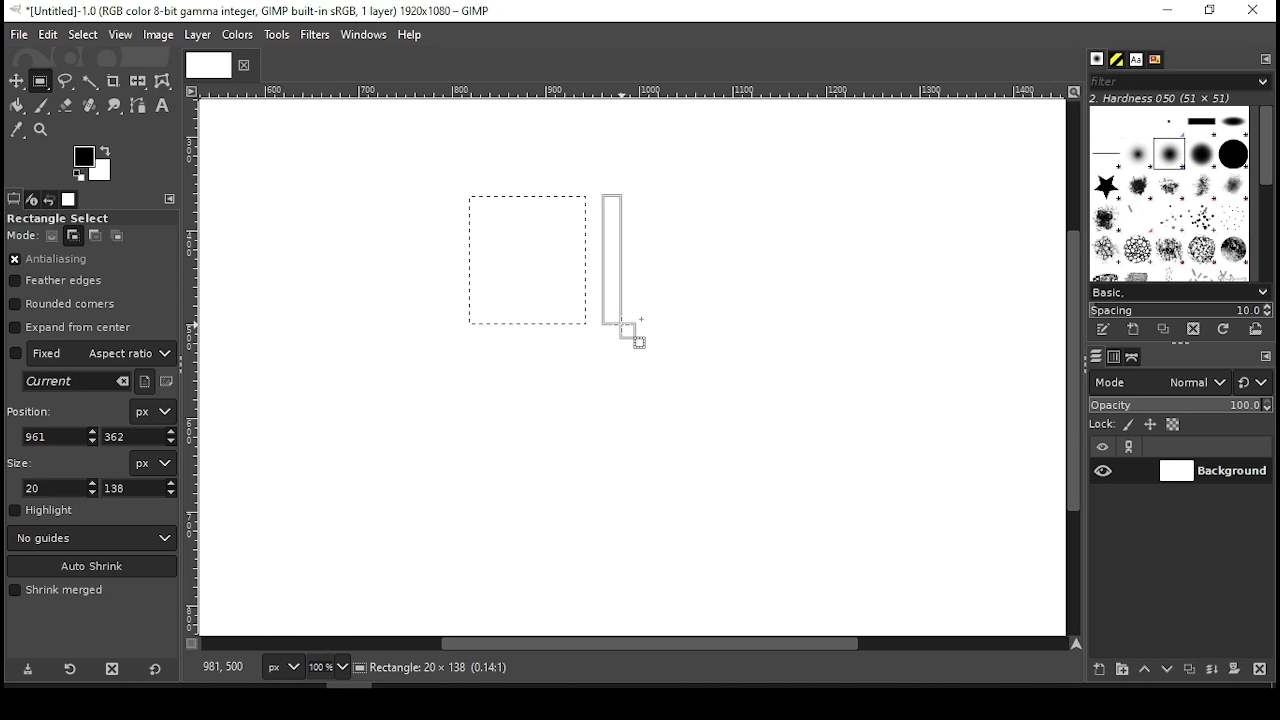 This screenshot has width=1280, height=720. Describe the element at coordinates (1234, 670) in the screenshot. I see `mask  layer` at that location.